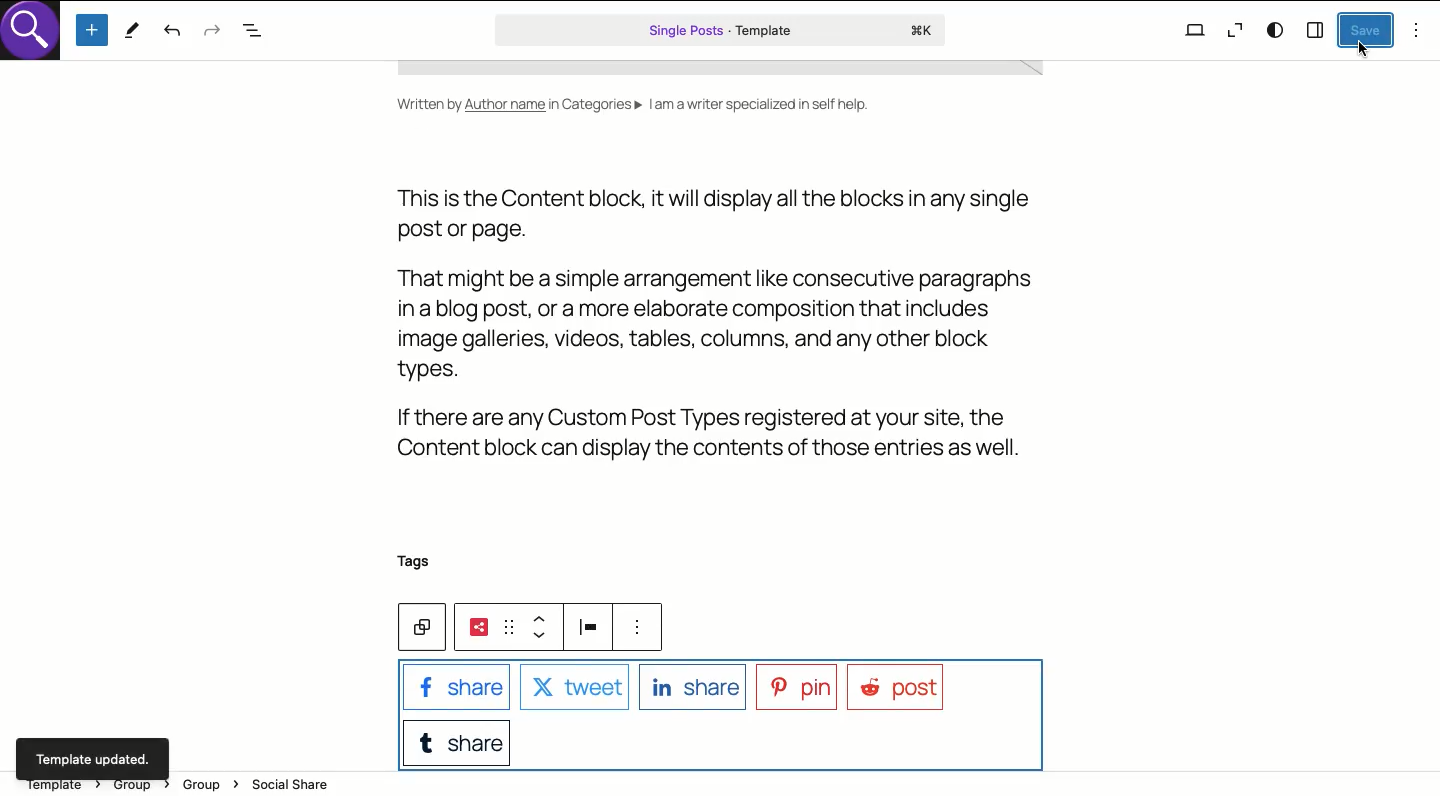  I want to click on View, so click(1195, 29).